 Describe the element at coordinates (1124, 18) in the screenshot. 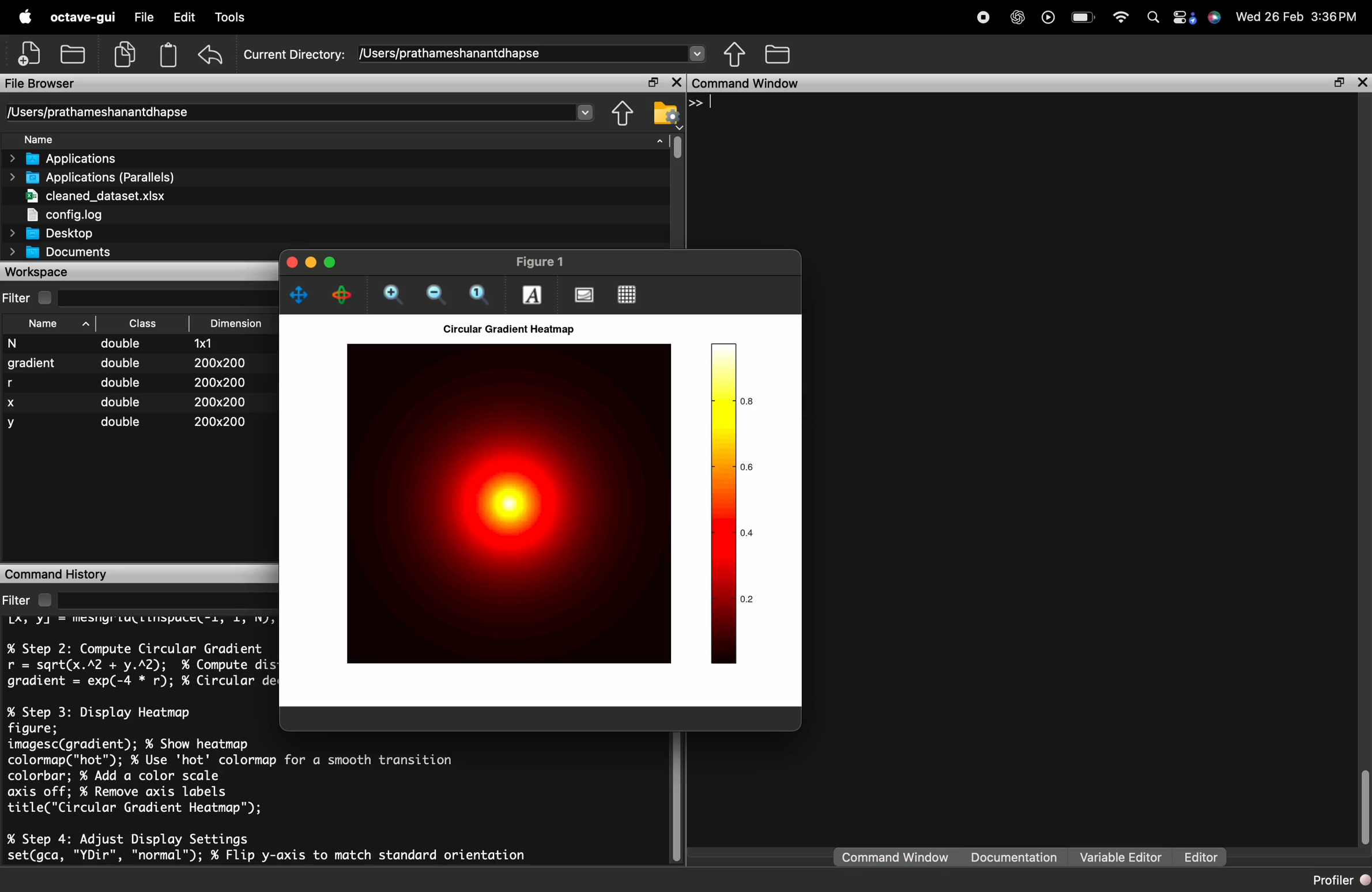

I see `wifi` at that location.